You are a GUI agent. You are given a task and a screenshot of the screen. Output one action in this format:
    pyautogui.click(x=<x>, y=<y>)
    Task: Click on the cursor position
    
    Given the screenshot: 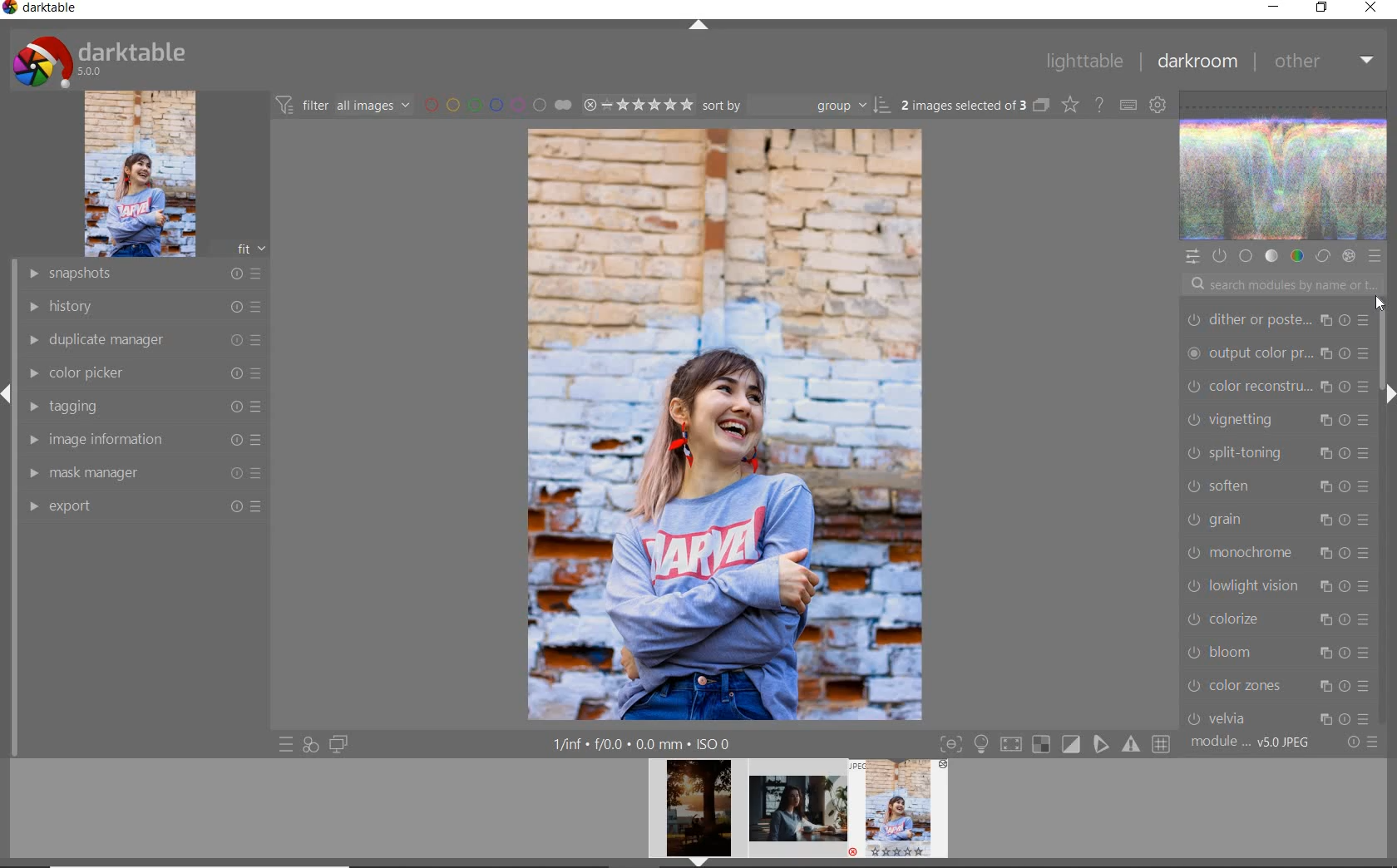 What is the action you would take?
    pyautogui.click(x=1378, y=303)
    